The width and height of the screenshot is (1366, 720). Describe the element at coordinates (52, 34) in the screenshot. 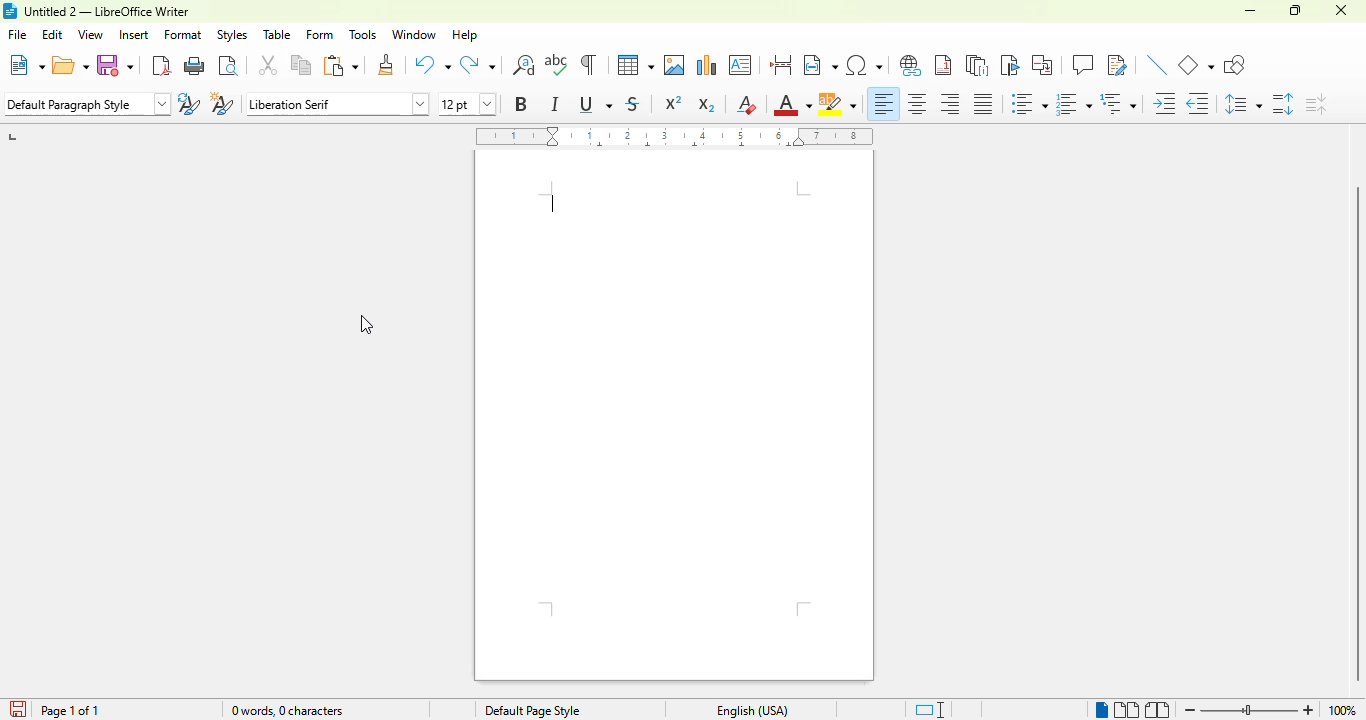

I see `edit` at that location.